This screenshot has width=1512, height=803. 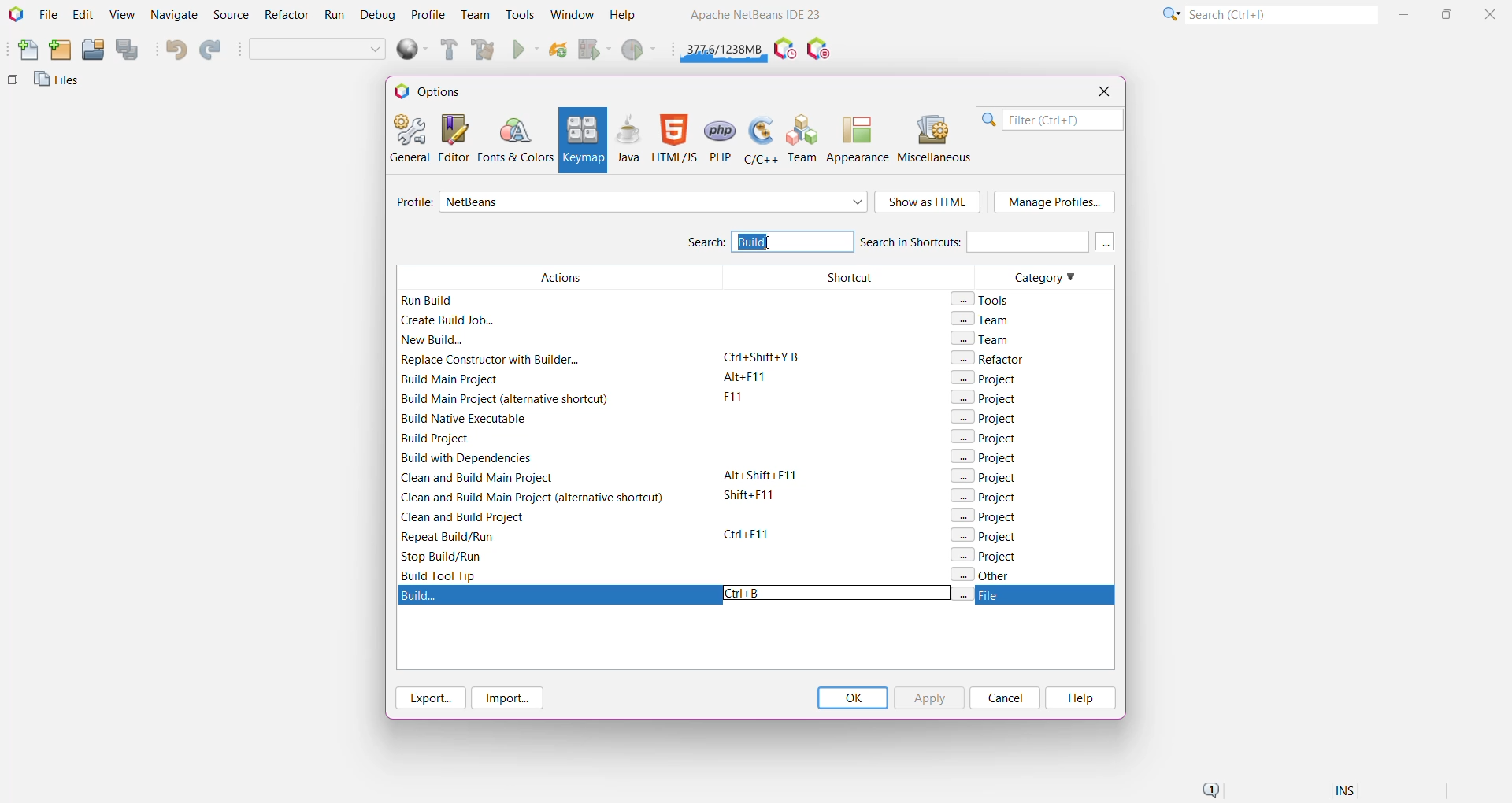 I want to click on Pause I/O Checks, so click(x=820, y=50).